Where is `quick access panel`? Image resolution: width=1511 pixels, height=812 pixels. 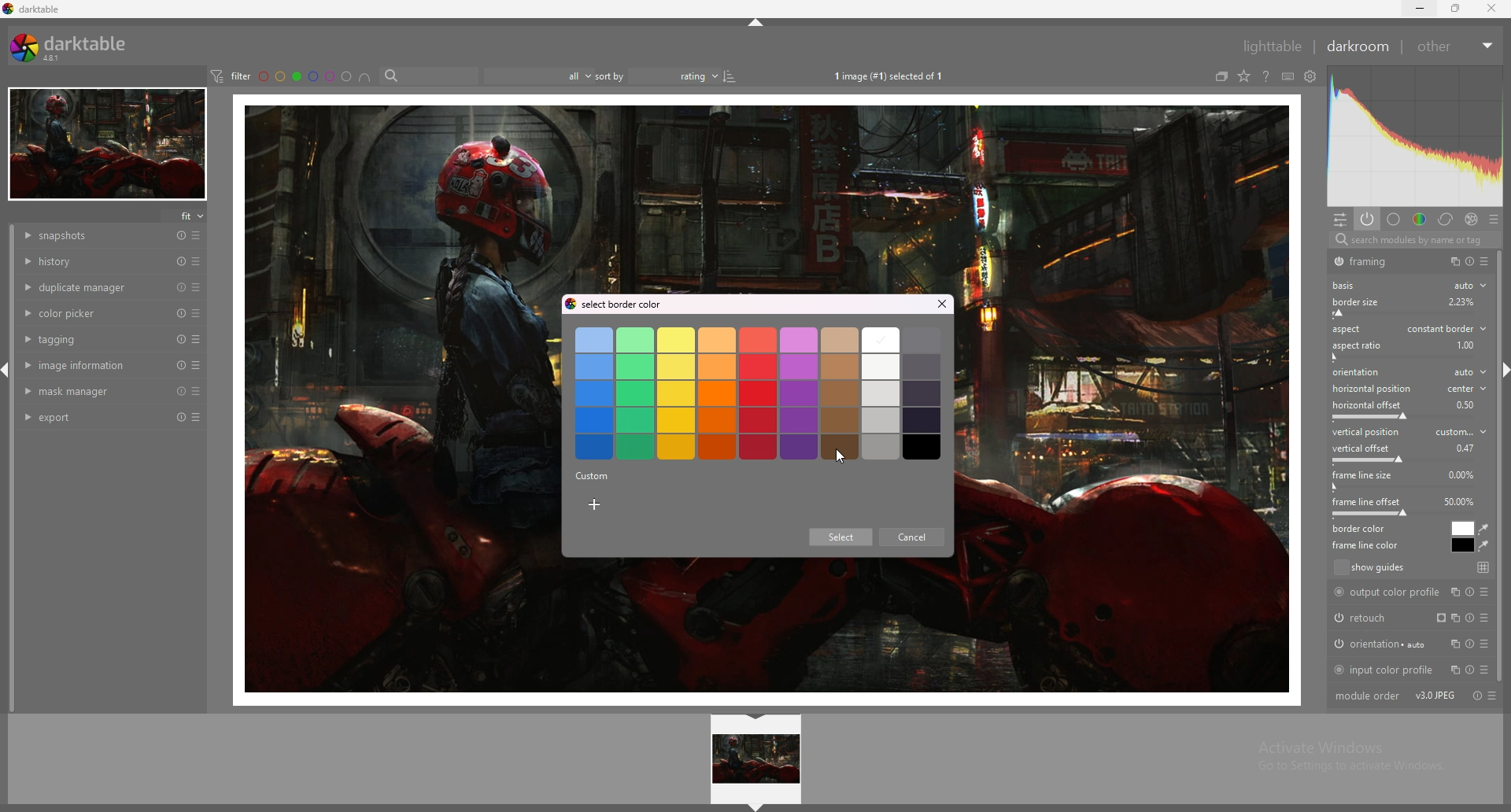 quick access panel is located at coordinates (1340, 220).